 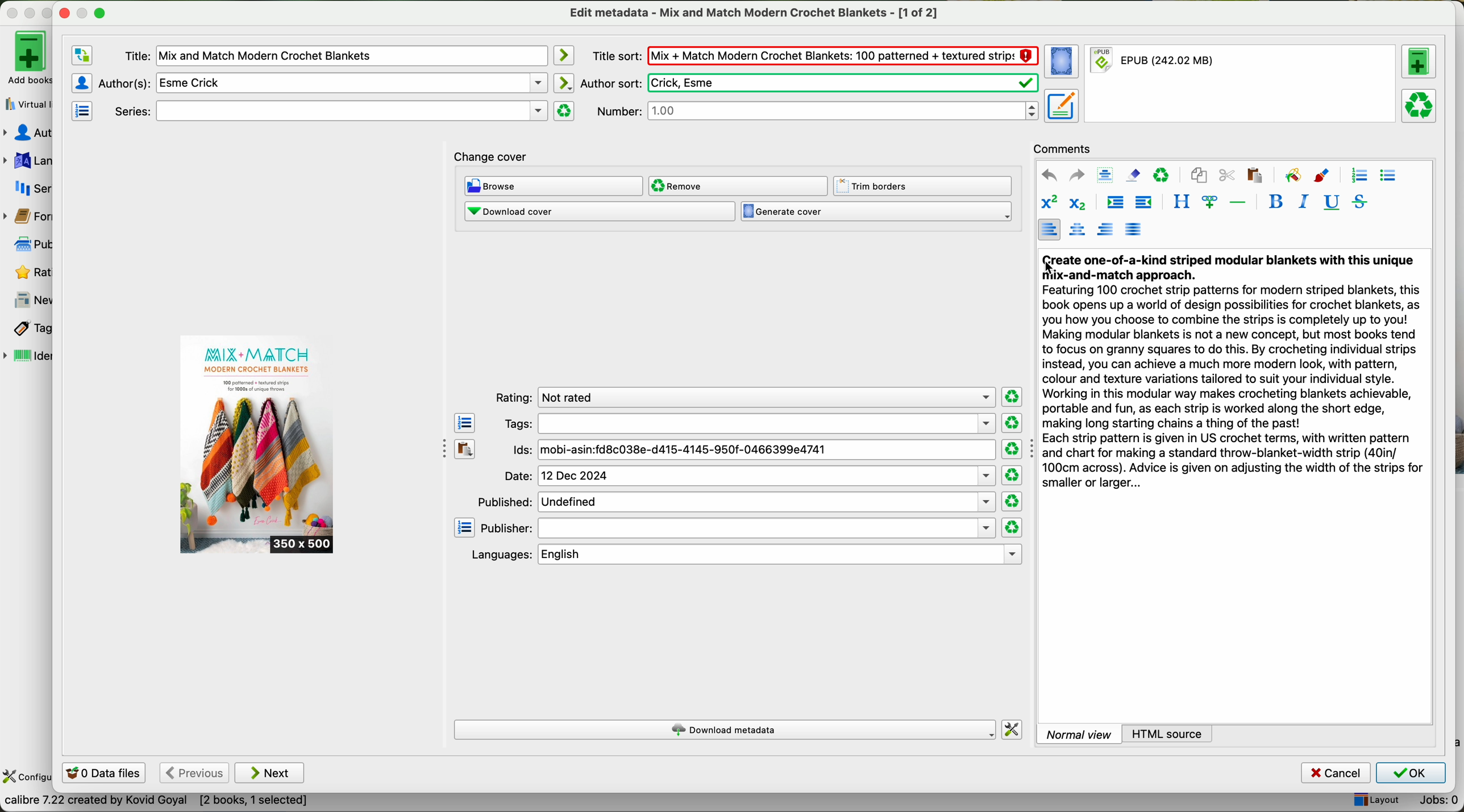 I want to click on next, so click(x=270, y=773).